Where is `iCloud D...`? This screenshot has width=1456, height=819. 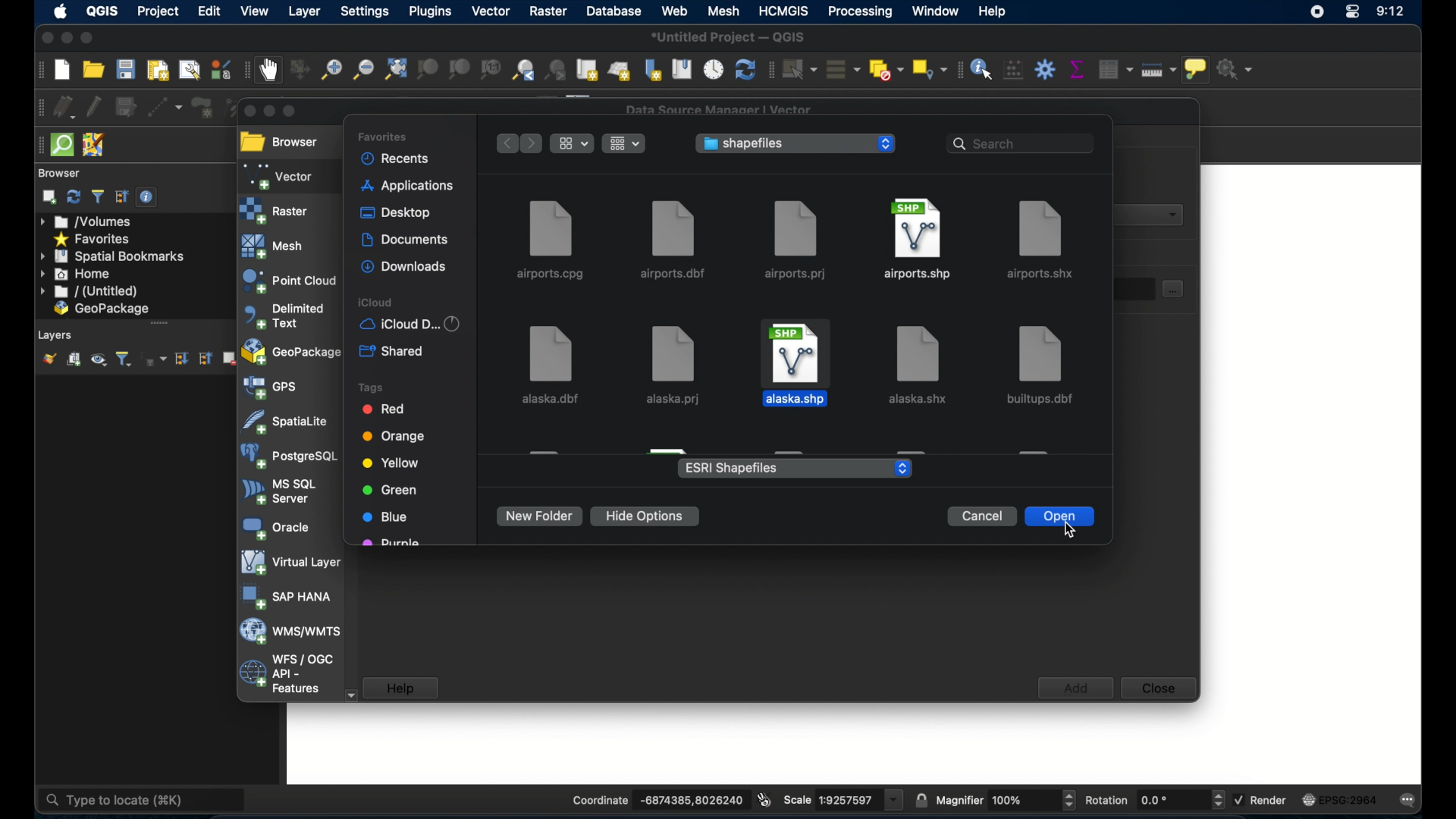
iCloud D... is located at coordinates (410, 325).